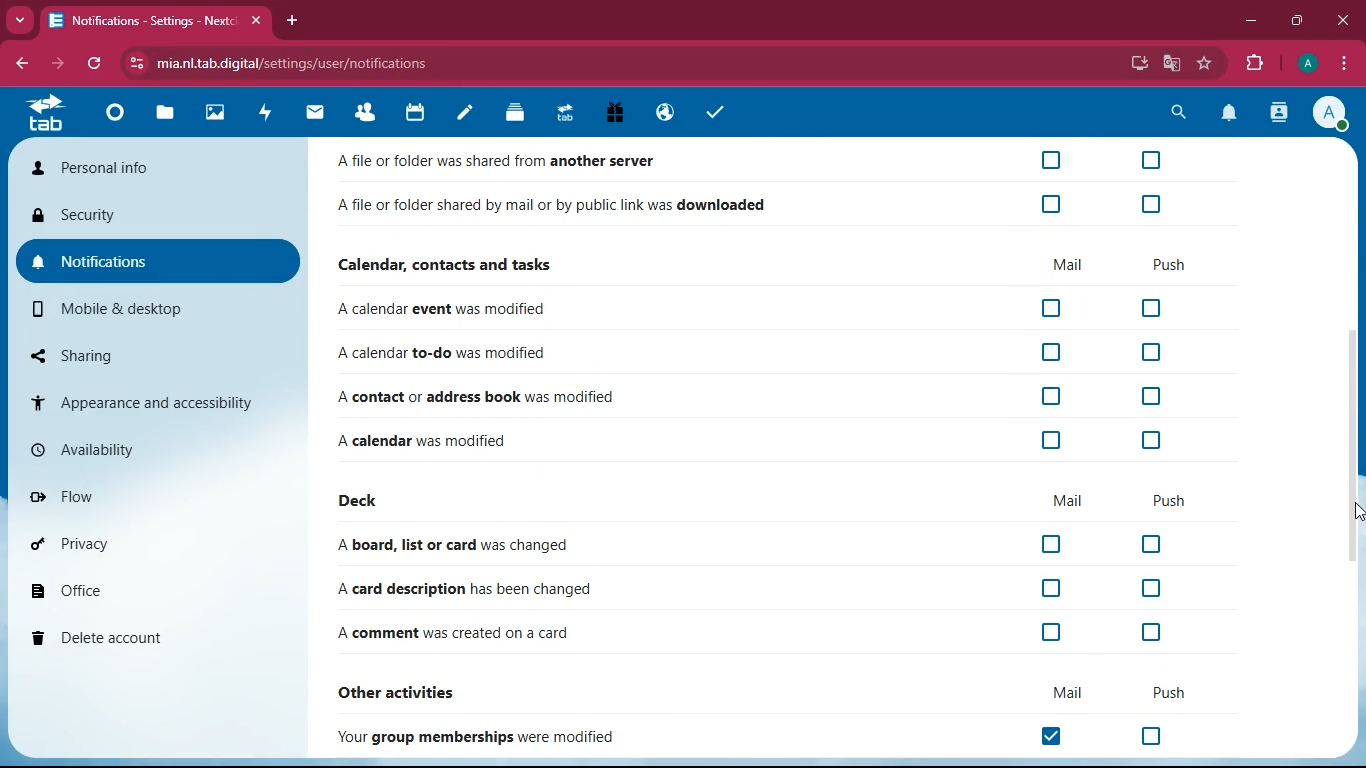 This screenshot has width=1366, height=768. Describe the element at coordinates (1054, 205) in the screenshot. I see `off` at that location.